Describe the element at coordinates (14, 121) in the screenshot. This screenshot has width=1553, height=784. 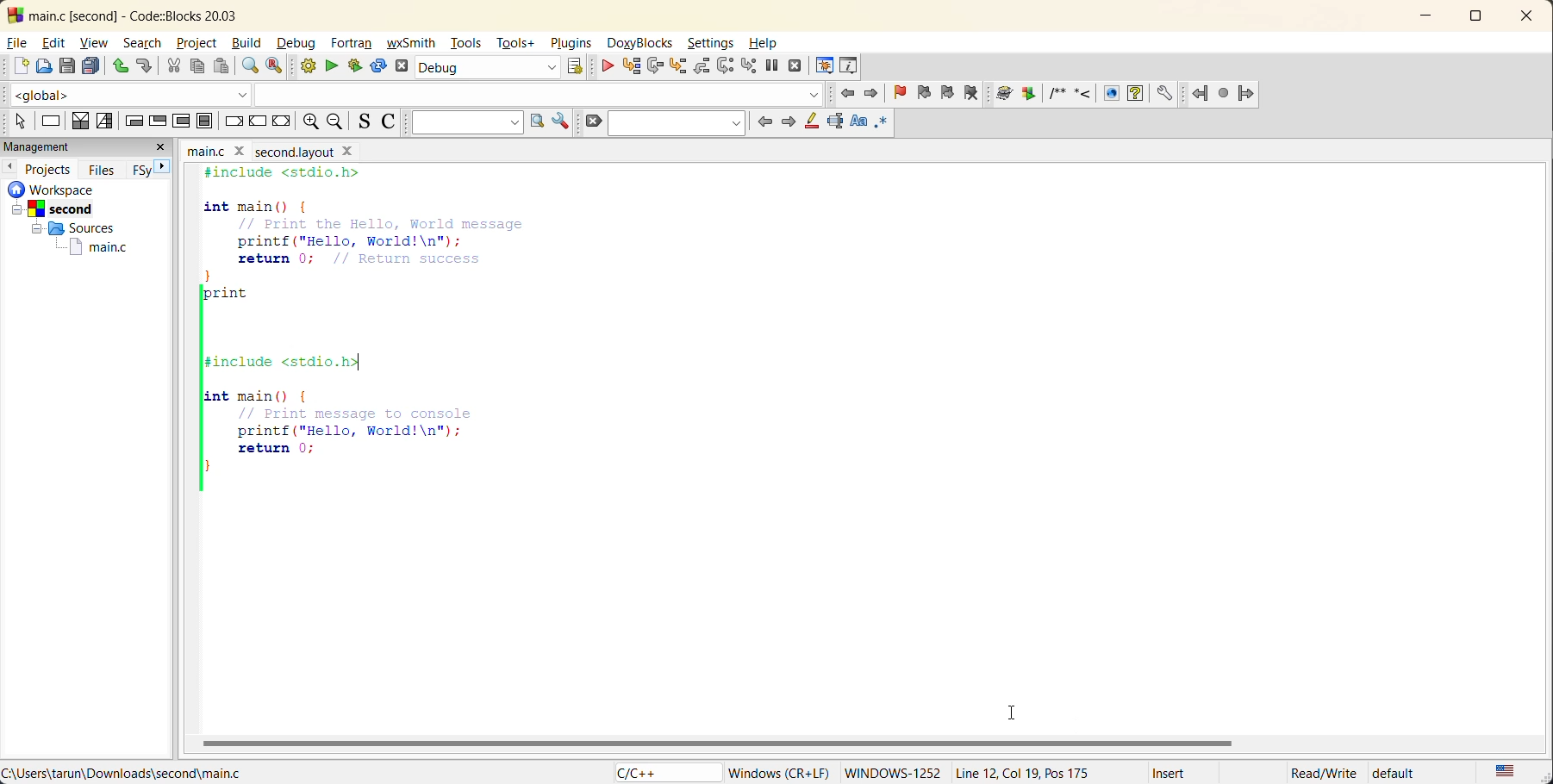
I see `select` at that location.